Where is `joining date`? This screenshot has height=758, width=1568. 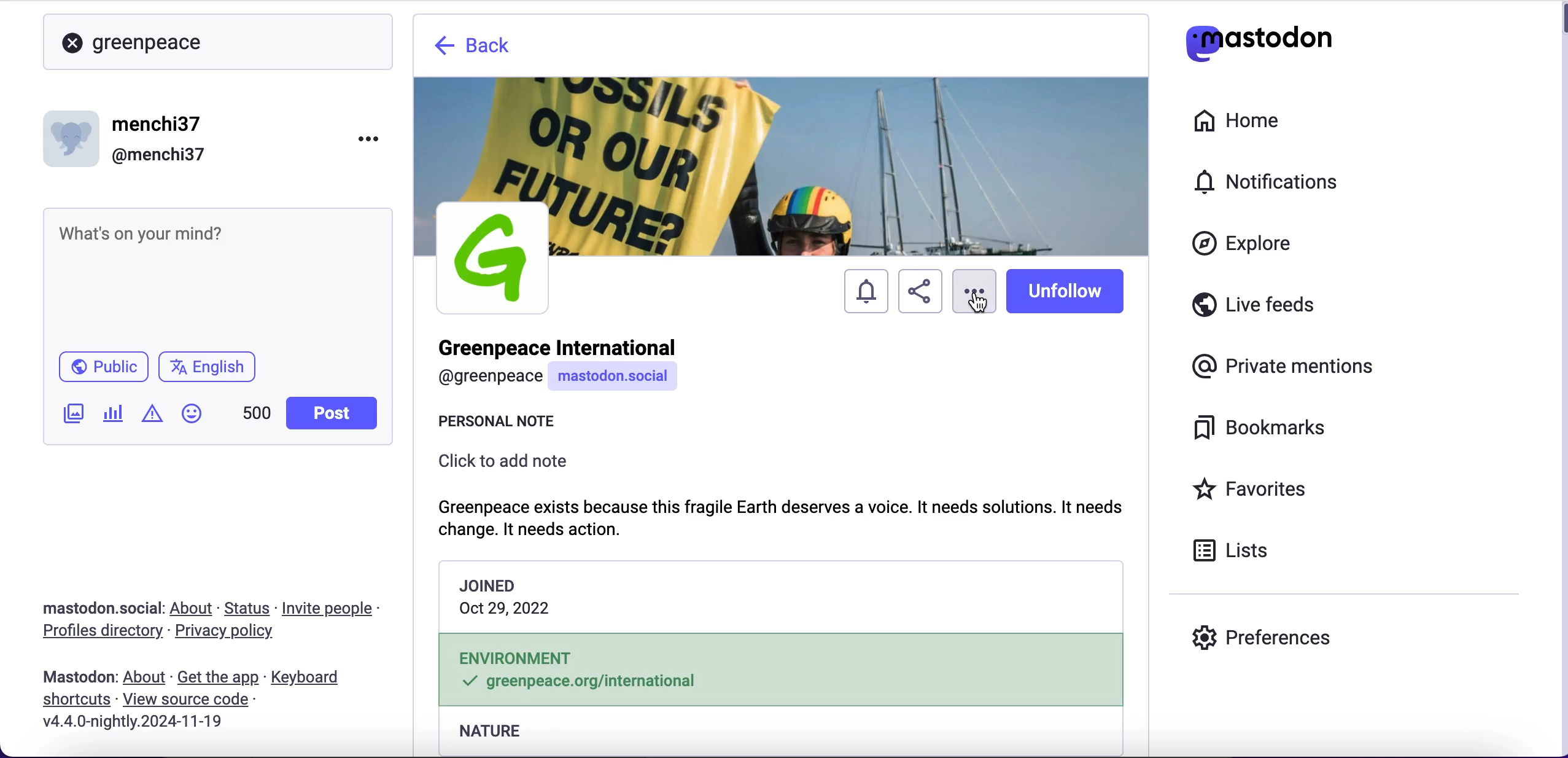
joining date is located at coordinates (782, 598).